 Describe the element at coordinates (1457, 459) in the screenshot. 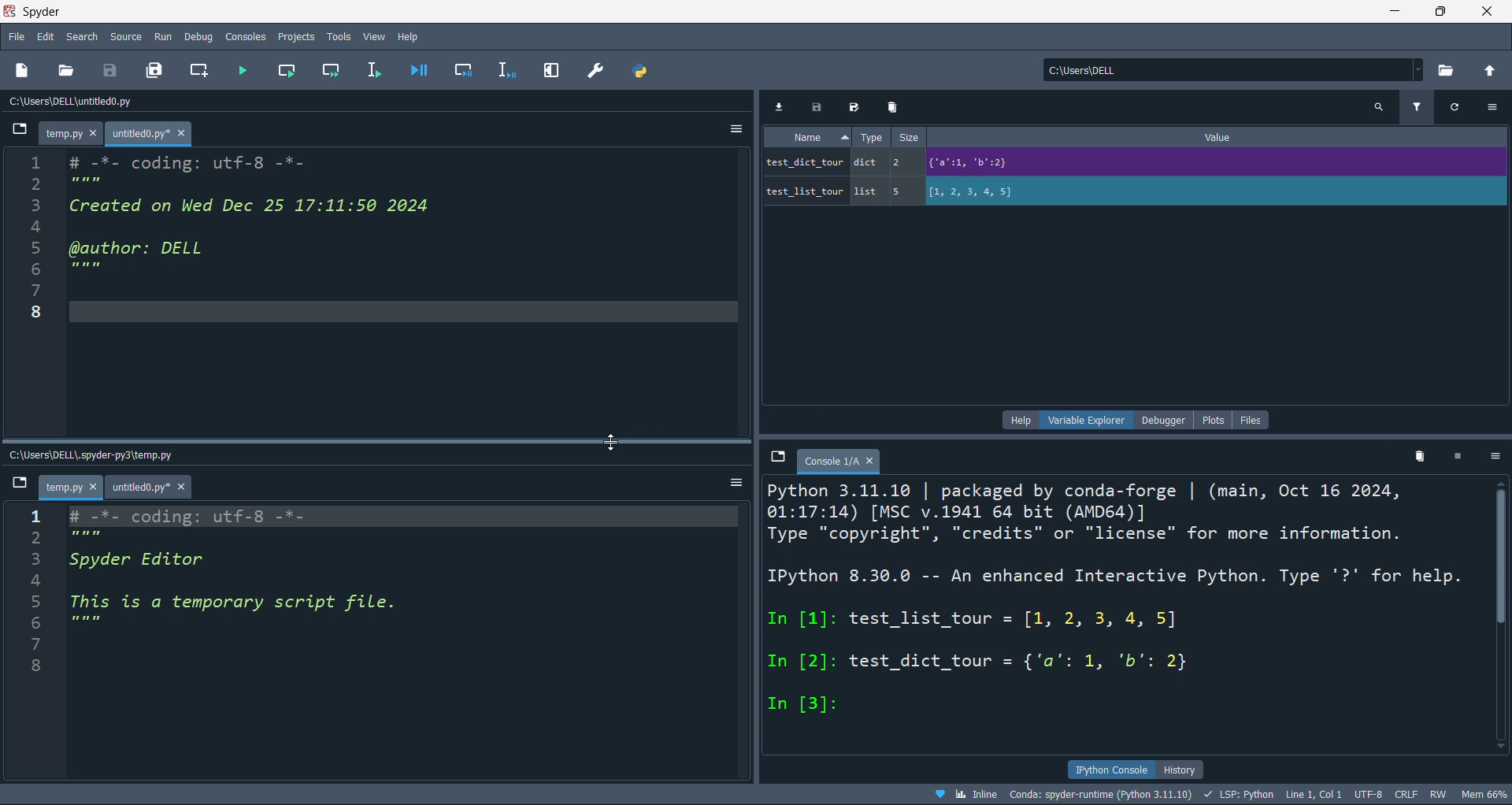

I see `close kernel` at that location.